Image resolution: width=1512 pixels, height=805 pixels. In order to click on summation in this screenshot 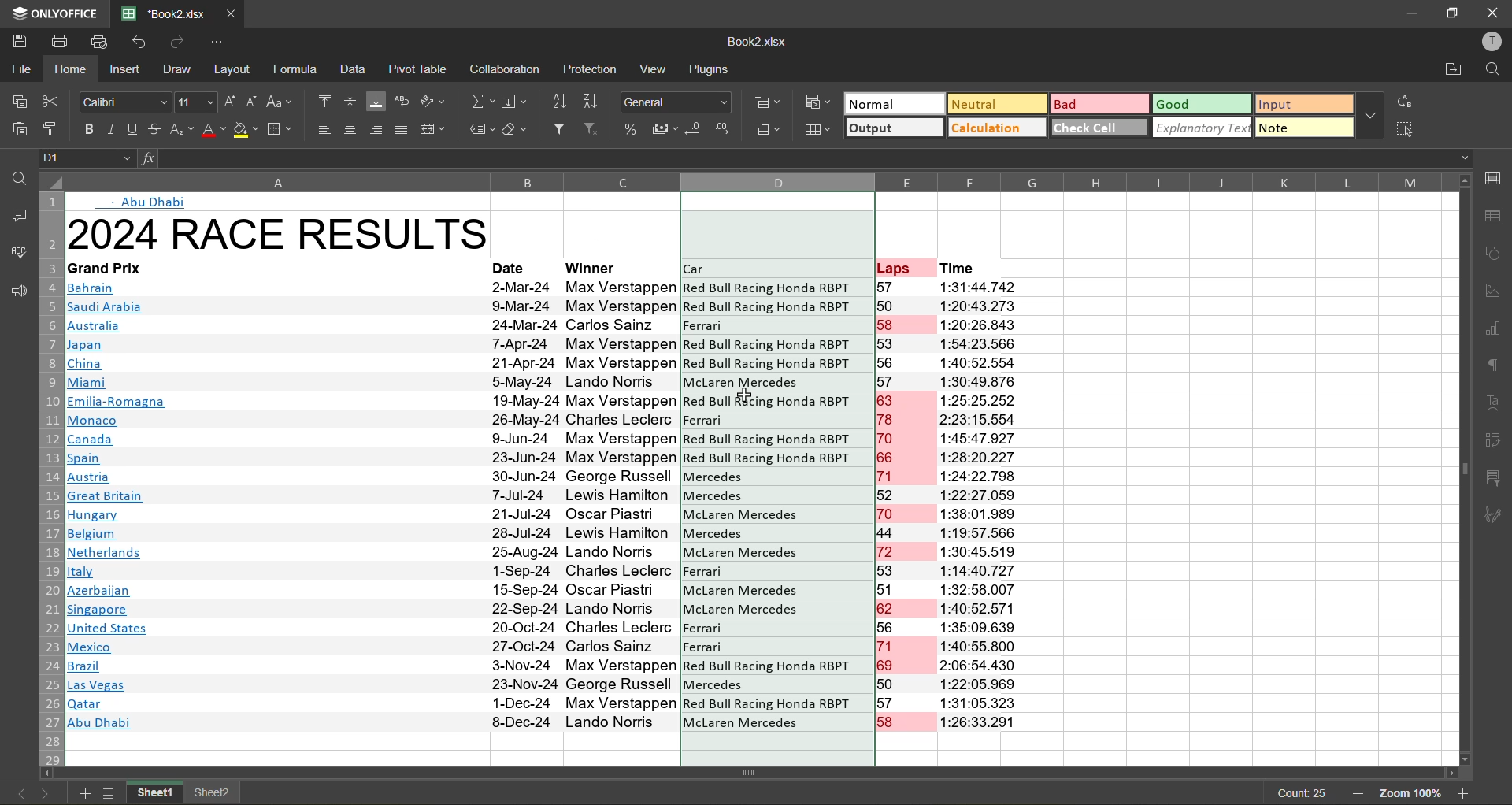, I will do `click(481, 101)`.